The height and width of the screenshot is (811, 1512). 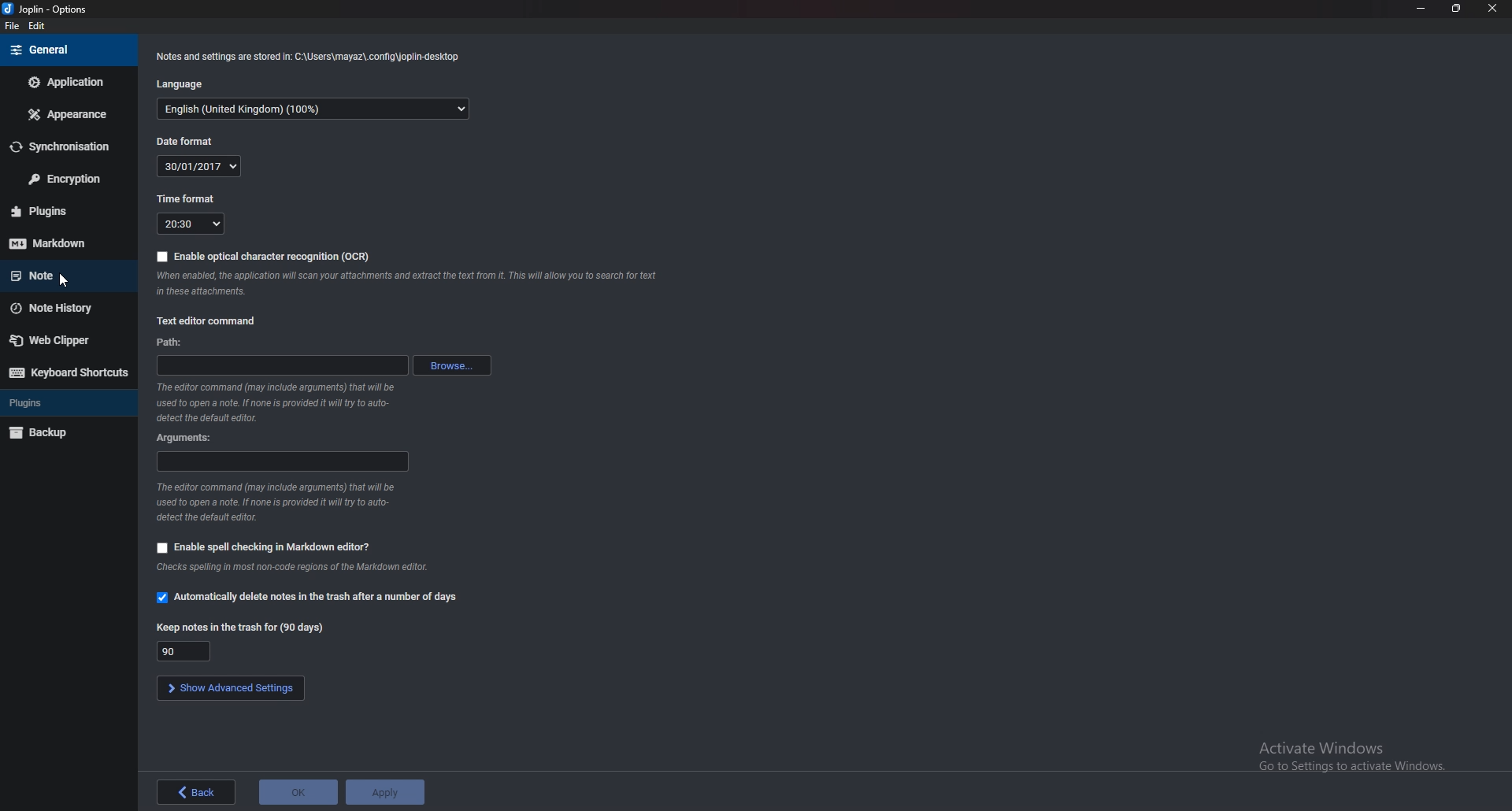 What do you see at coordinates (281, 403) in the screenshot?
I see `Info` at bounding box center [281, 403].